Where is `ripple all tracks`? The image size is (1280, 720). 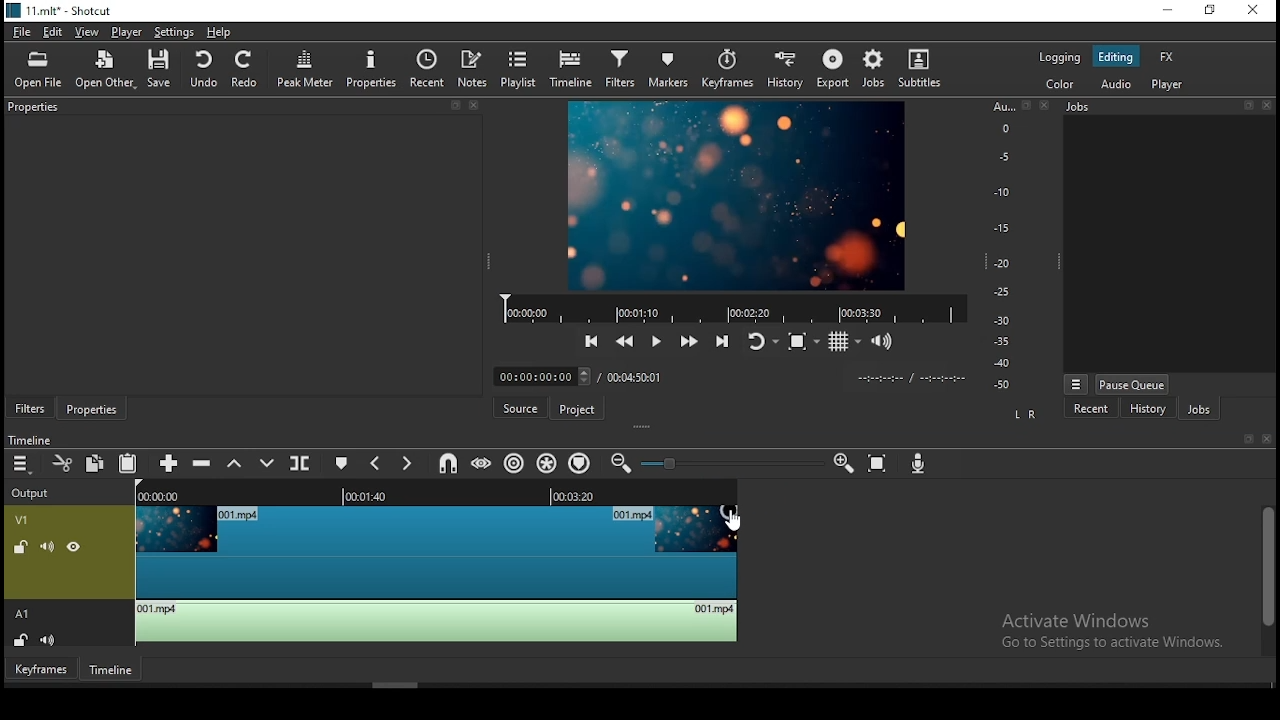
ripple all tracks is located at coordinates (549, 459).